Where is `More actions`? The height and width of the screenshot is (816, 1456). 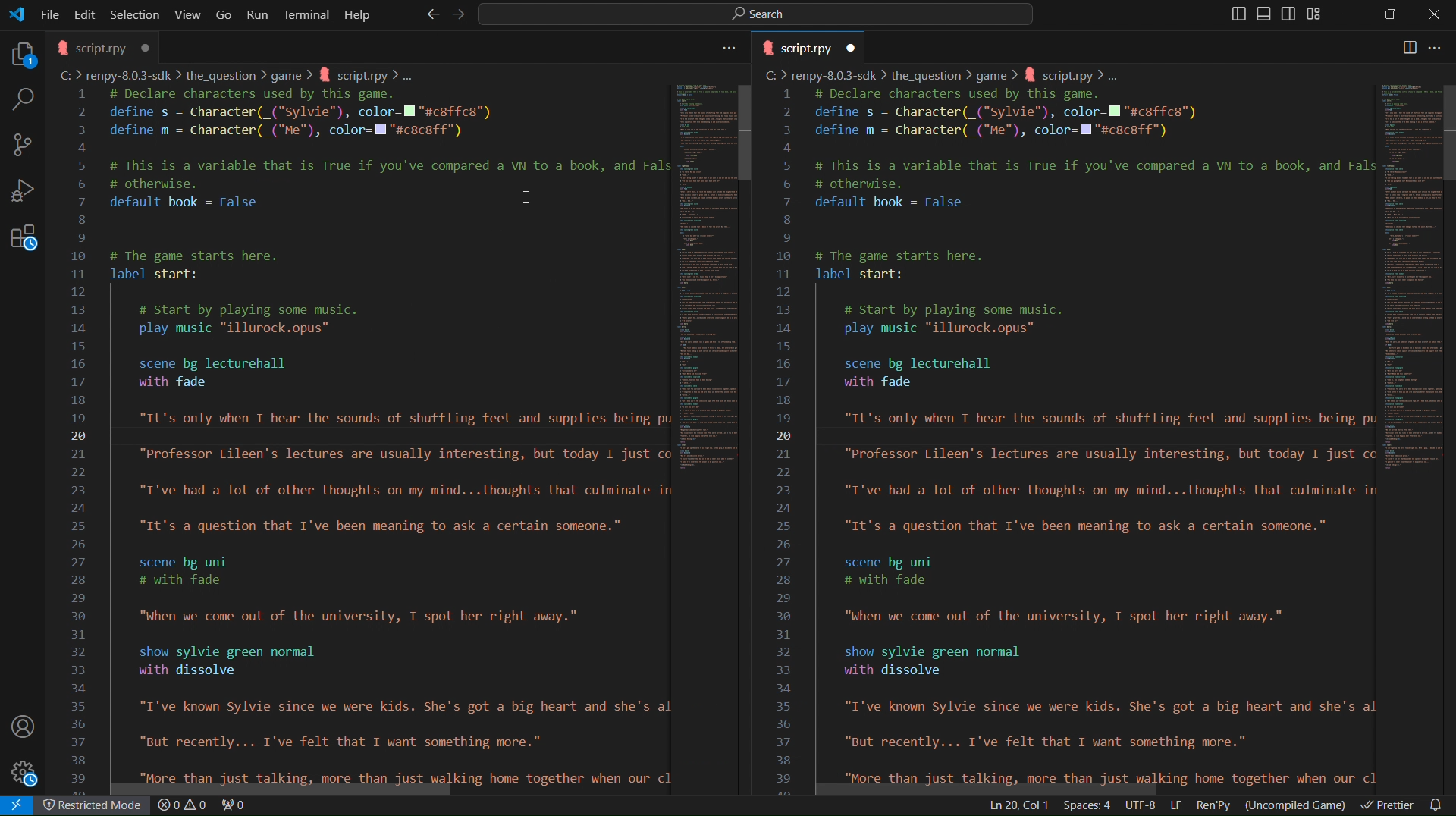 More actions is located at coordinates (1443, 49).